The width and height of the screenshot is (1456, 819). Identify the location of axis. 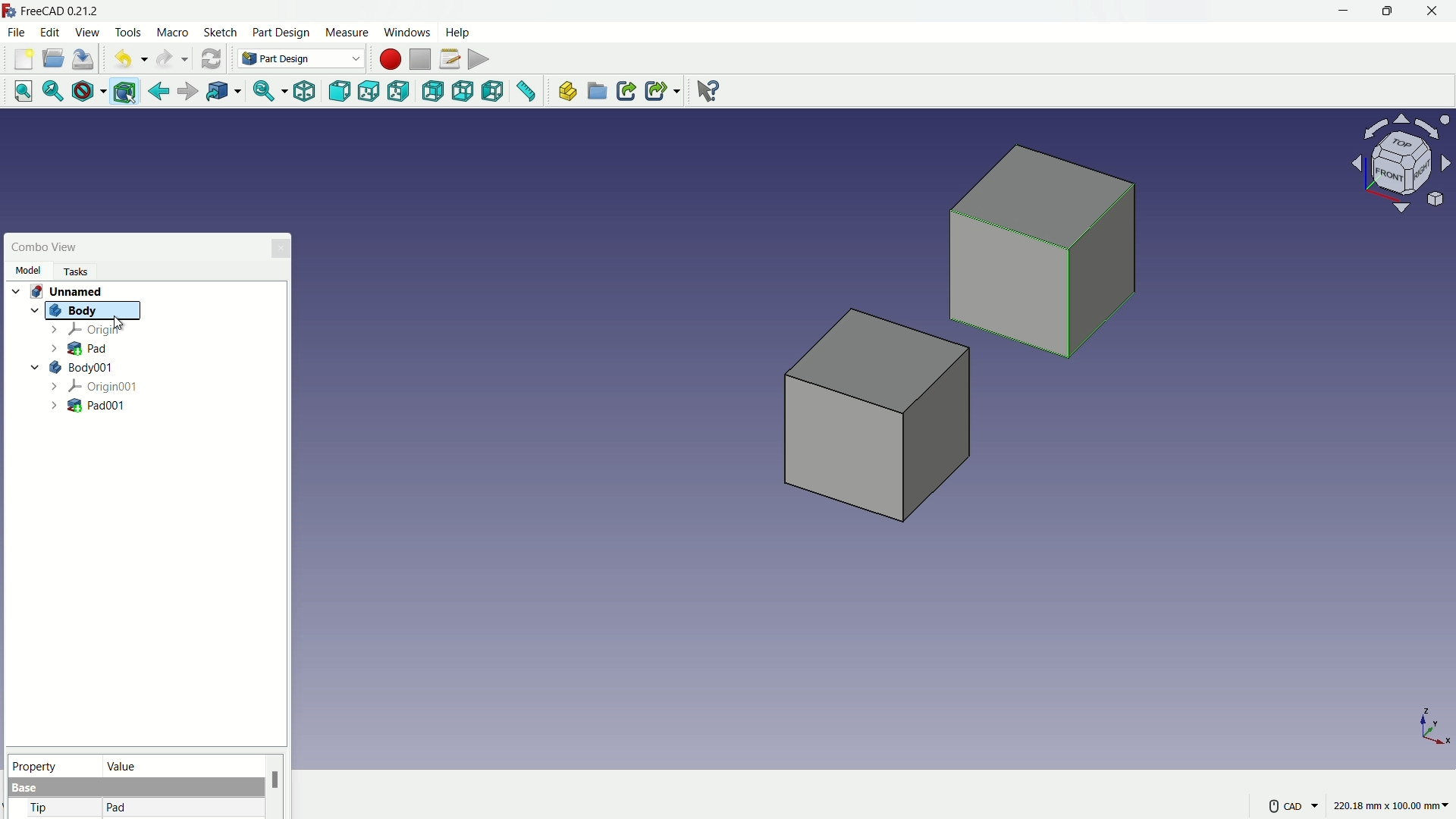
(1435, 726).